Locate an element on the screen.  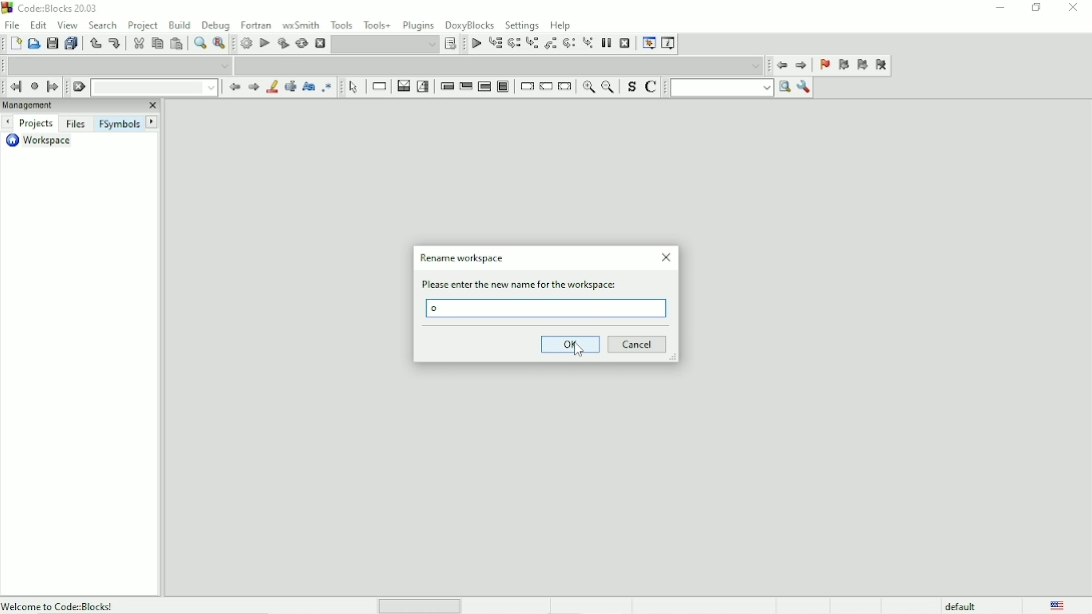
Paste is located at coordinates (176, 44).